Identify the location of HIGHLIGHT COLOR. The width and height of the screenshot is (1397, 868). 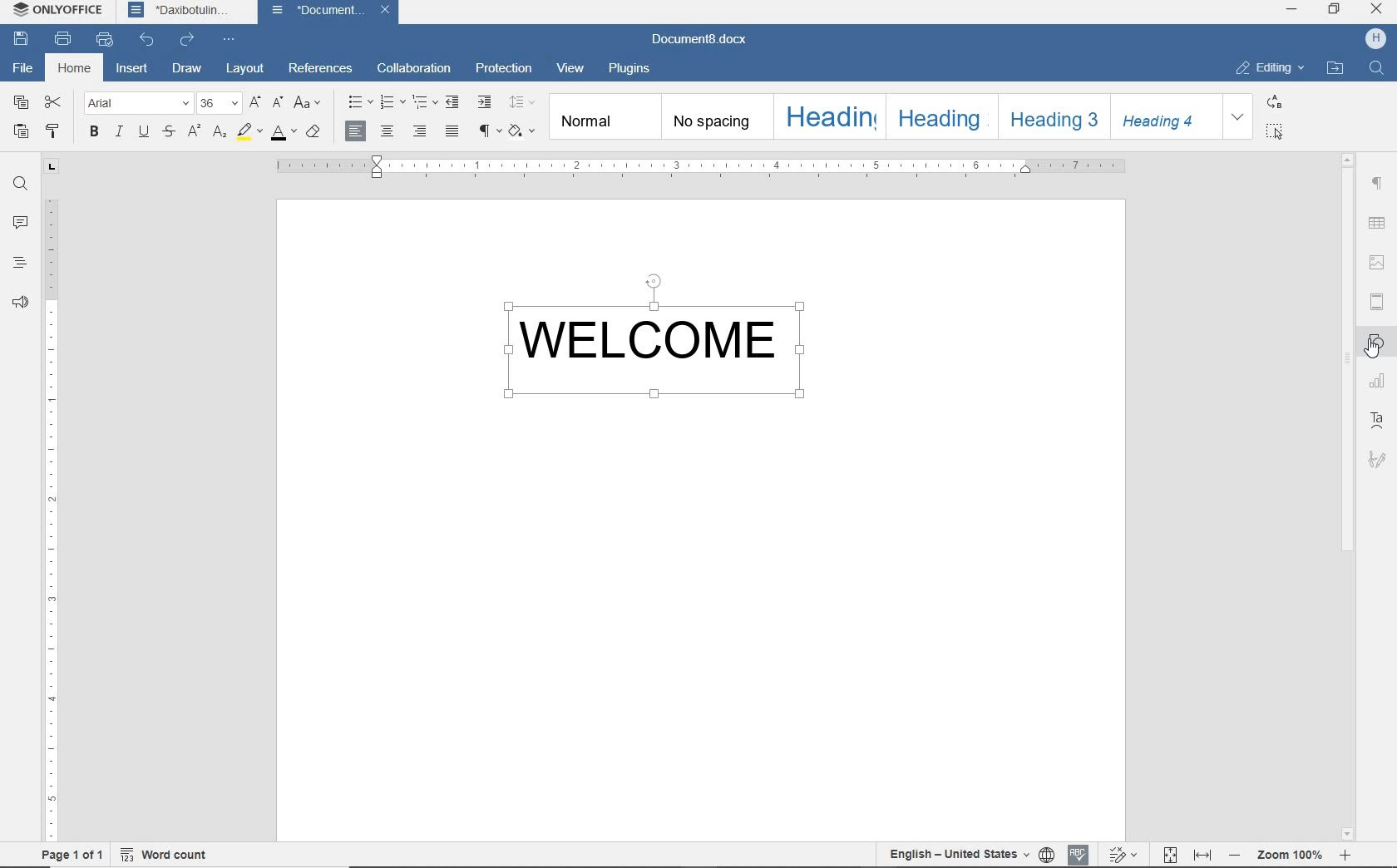
(250, 133).